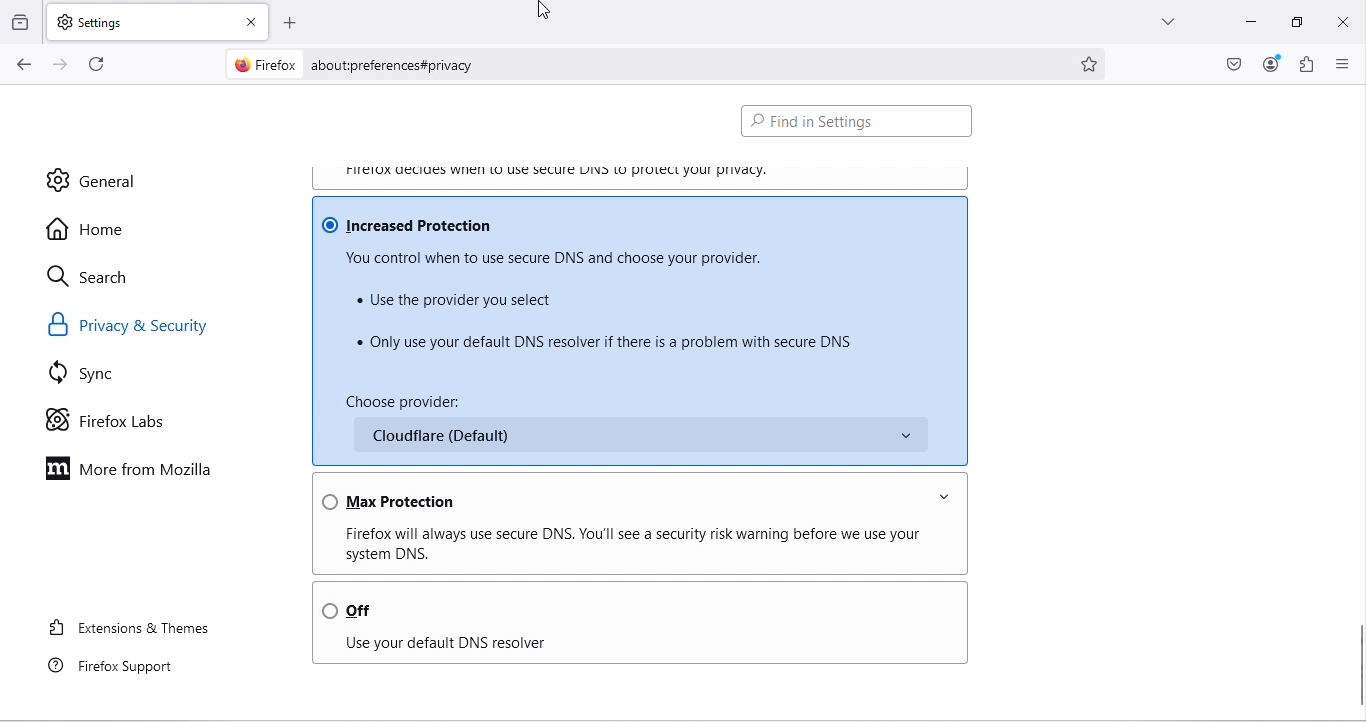 The height and width of the screenshot is (722, 1366). What do you see at coordinates (1245, 25) in the screenshot?
I see `Input ` at bounding box center [1245, 25].